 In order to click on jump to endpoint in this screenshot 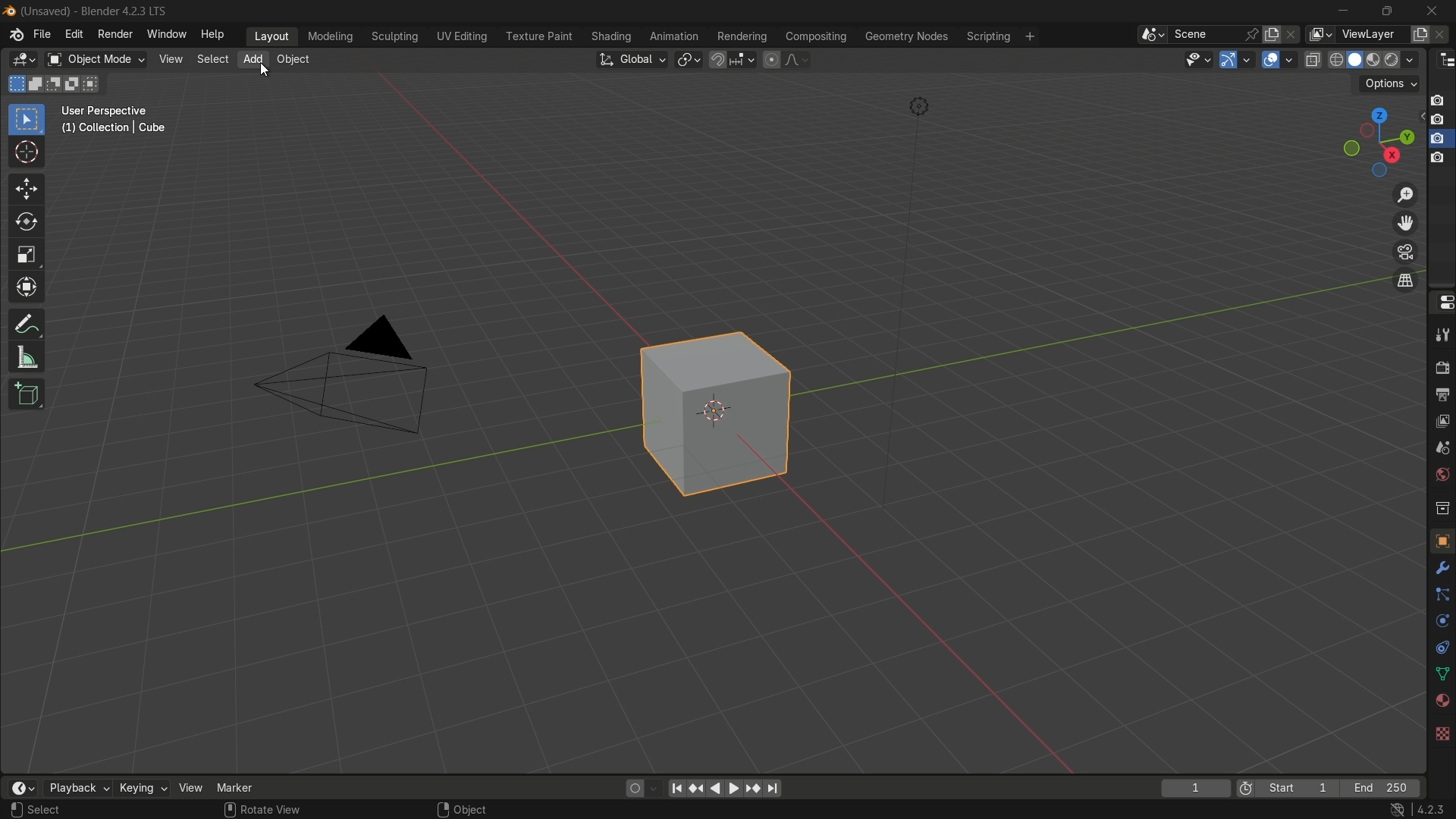, I will do `click(774, 789)`.